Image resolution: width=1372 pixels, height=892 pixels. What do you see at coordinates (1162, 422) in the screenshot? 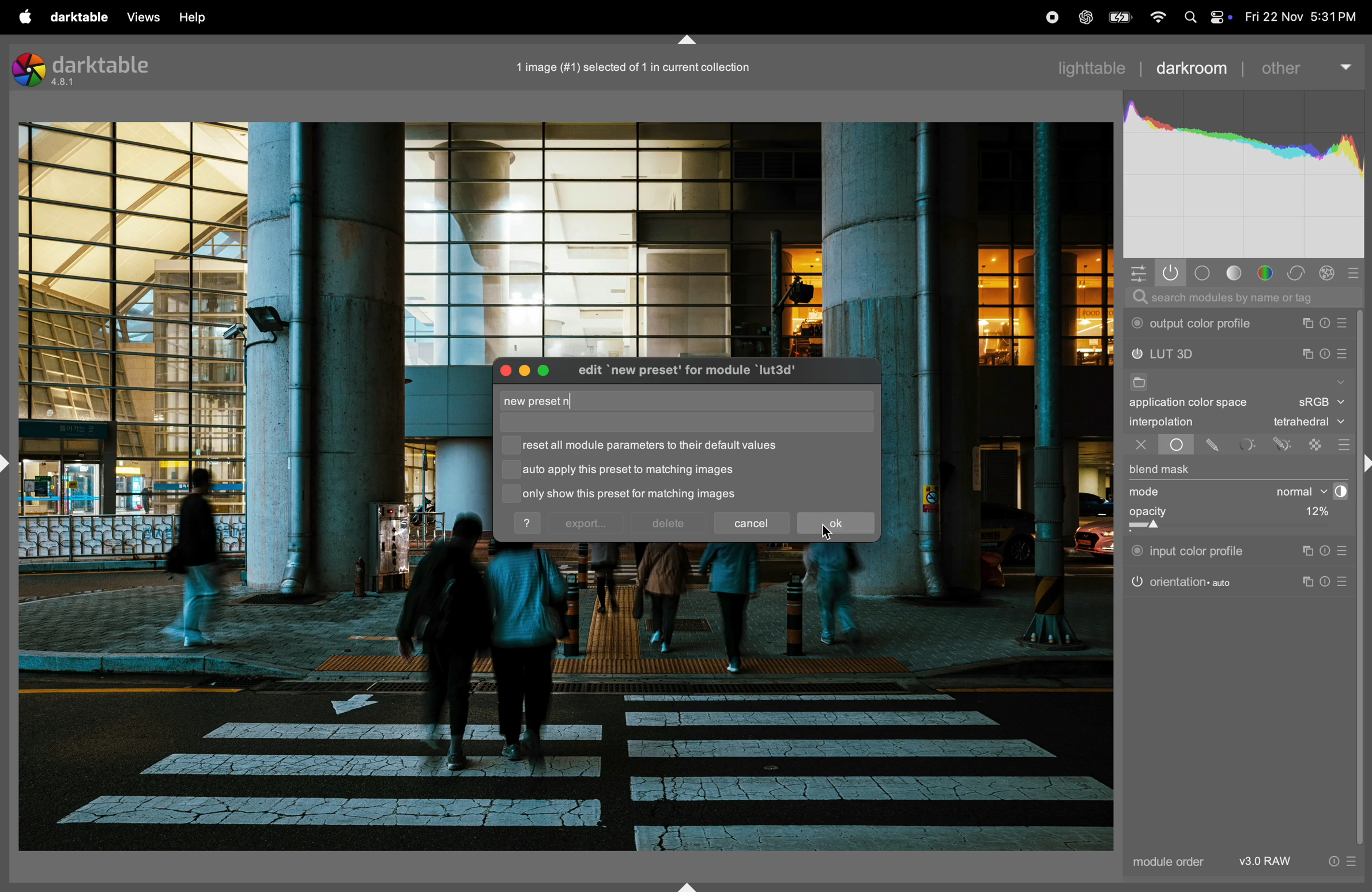
I see `interpolation` at bounding box center [1162, 422].